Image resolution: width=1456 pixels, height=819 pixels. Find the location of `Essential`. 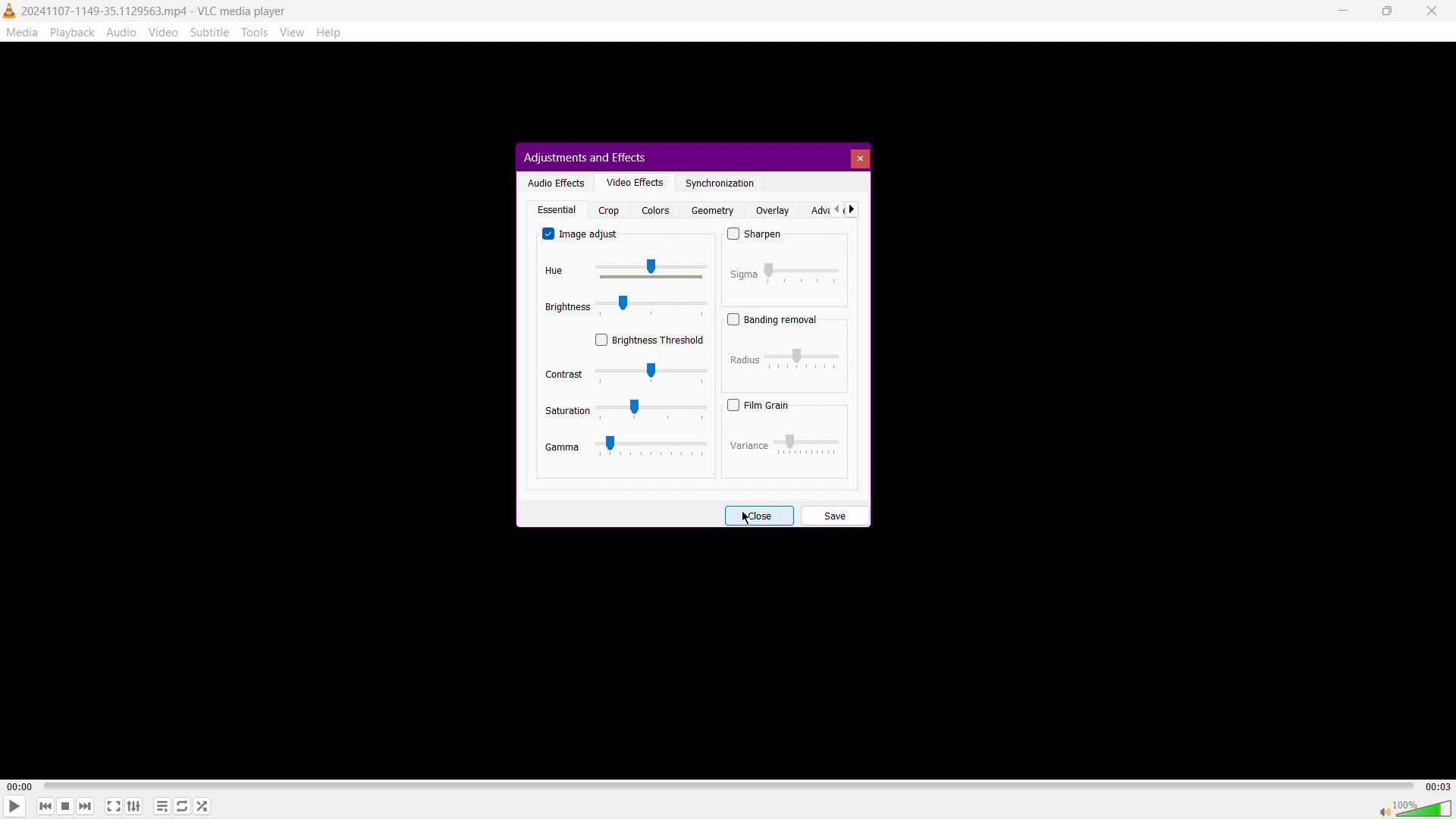

Essential is located at coordinates (555, 209).